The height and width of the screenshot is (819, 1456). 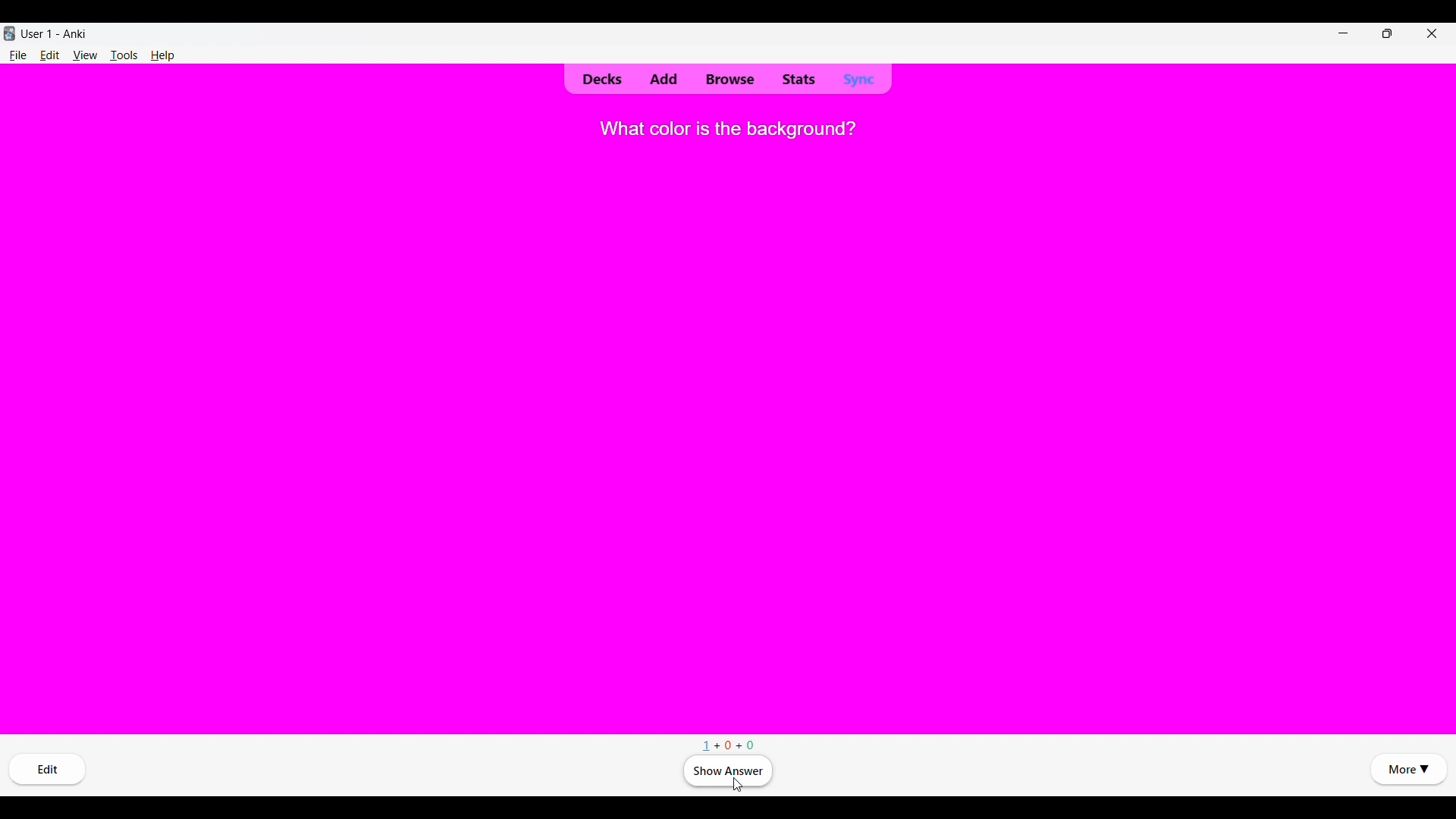 What do you see at coordinates (54, 33) in the screenshot?
I see `User and software name` at bounding box center [54, 33].